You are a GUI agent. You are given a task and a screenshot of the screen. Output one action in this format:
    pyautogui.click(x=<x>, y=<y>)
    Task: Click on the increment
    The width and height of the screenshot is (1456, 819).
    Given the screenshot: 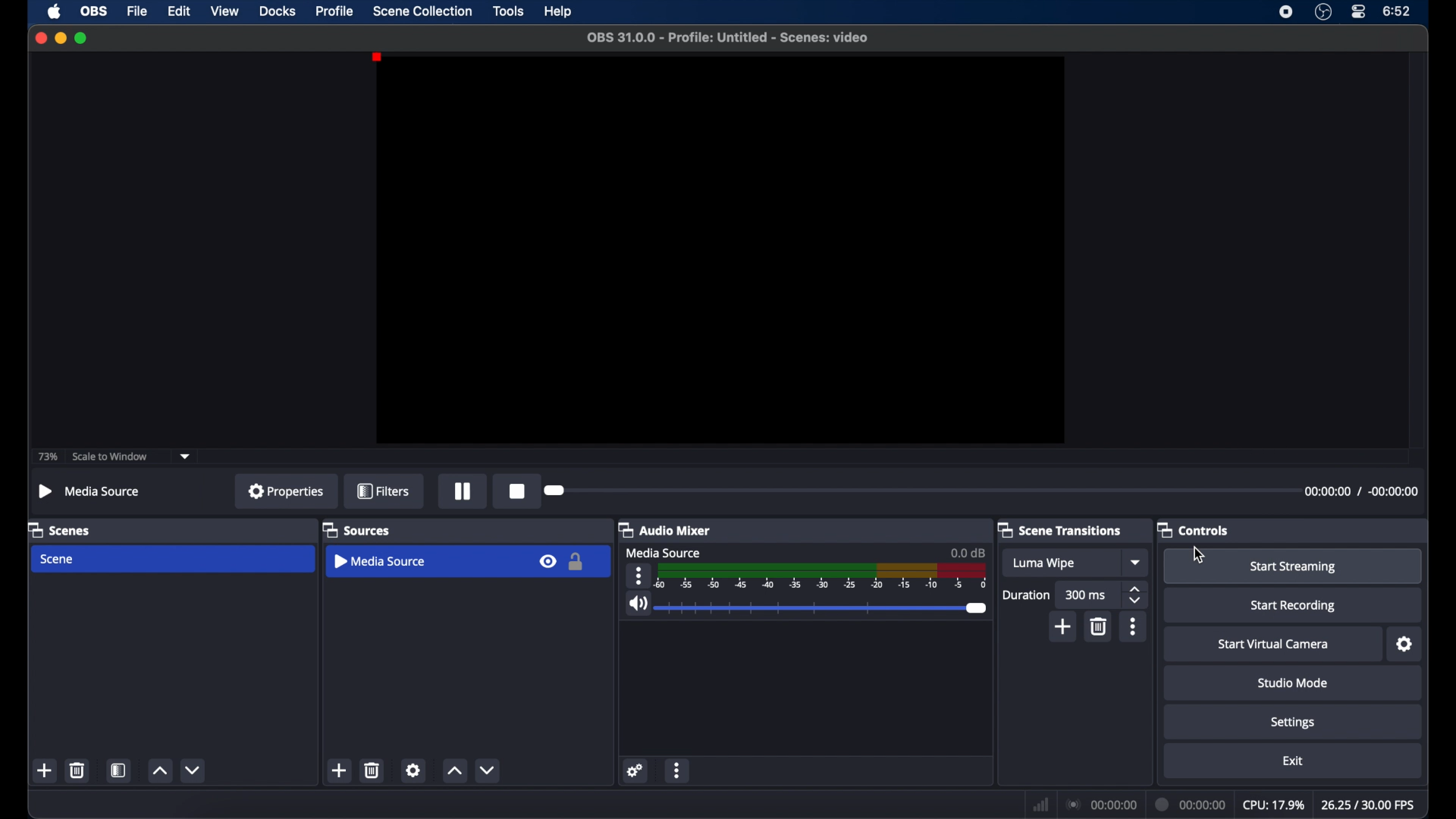 What is the action you would take?
    pyautogui.click(x=158, y=770)
    